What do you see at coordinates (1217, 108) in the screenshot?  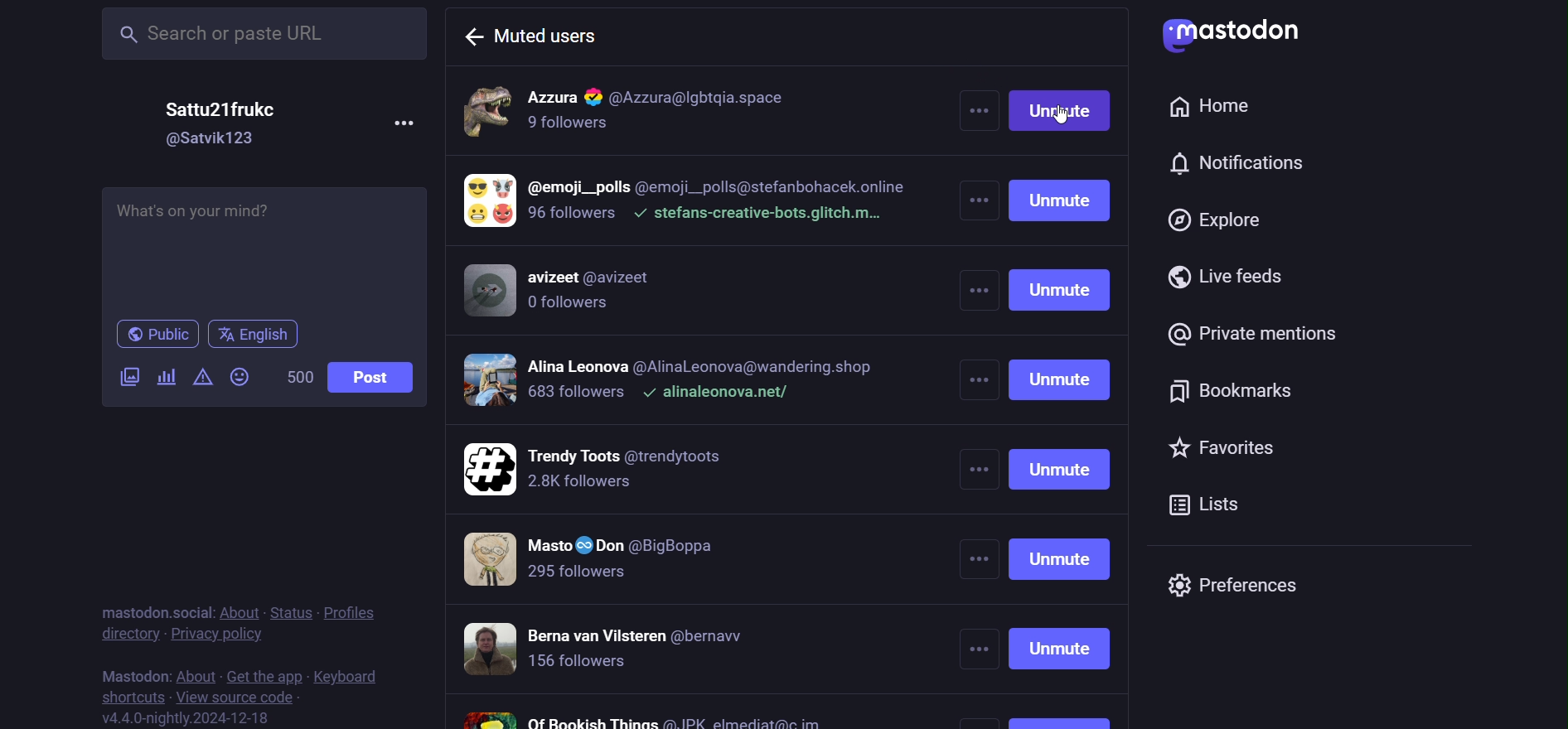 I see `home` at bounding box center [1217, 108].